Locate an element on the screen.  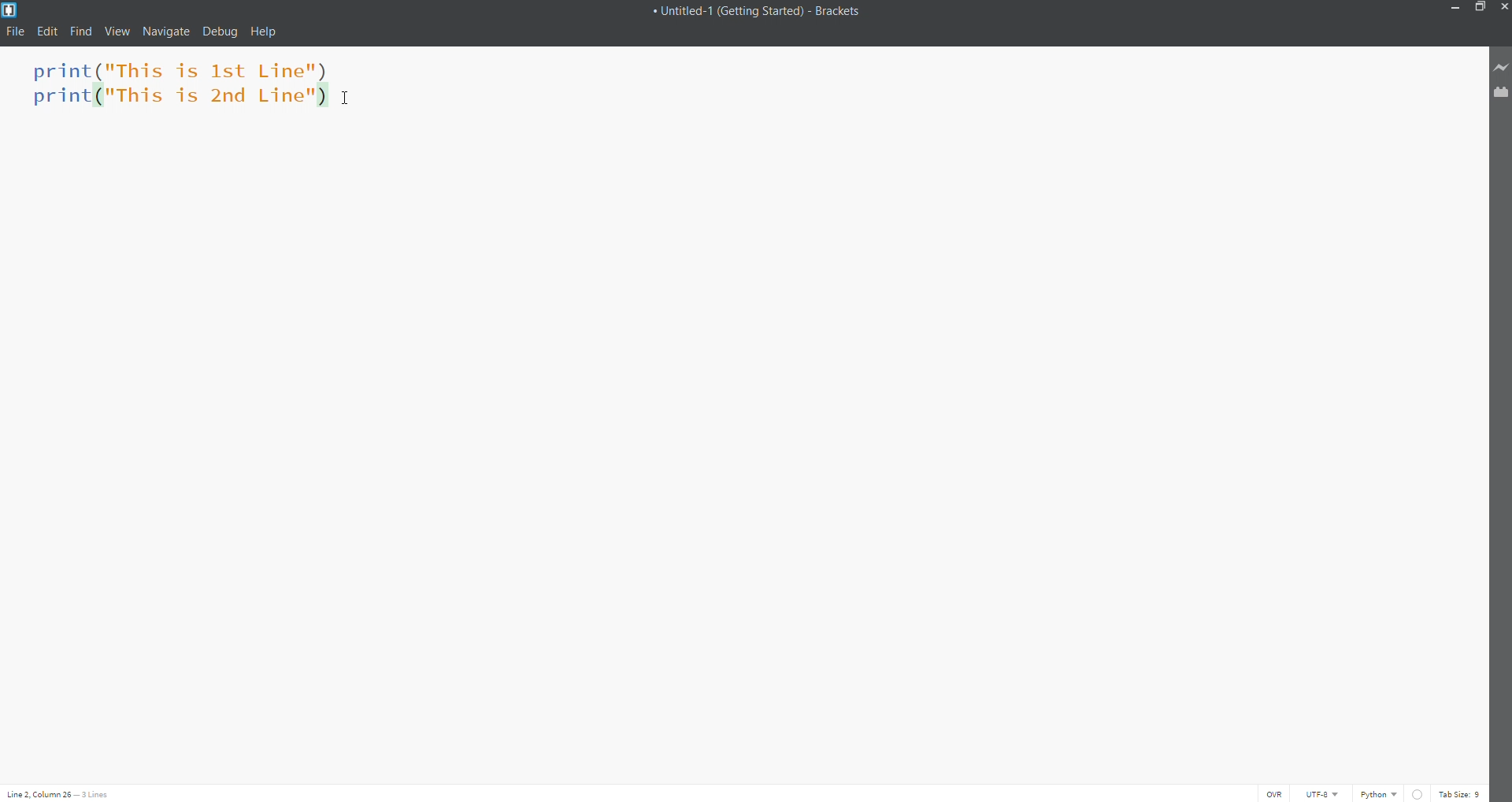
Edit is located at coordinates (46, 32).